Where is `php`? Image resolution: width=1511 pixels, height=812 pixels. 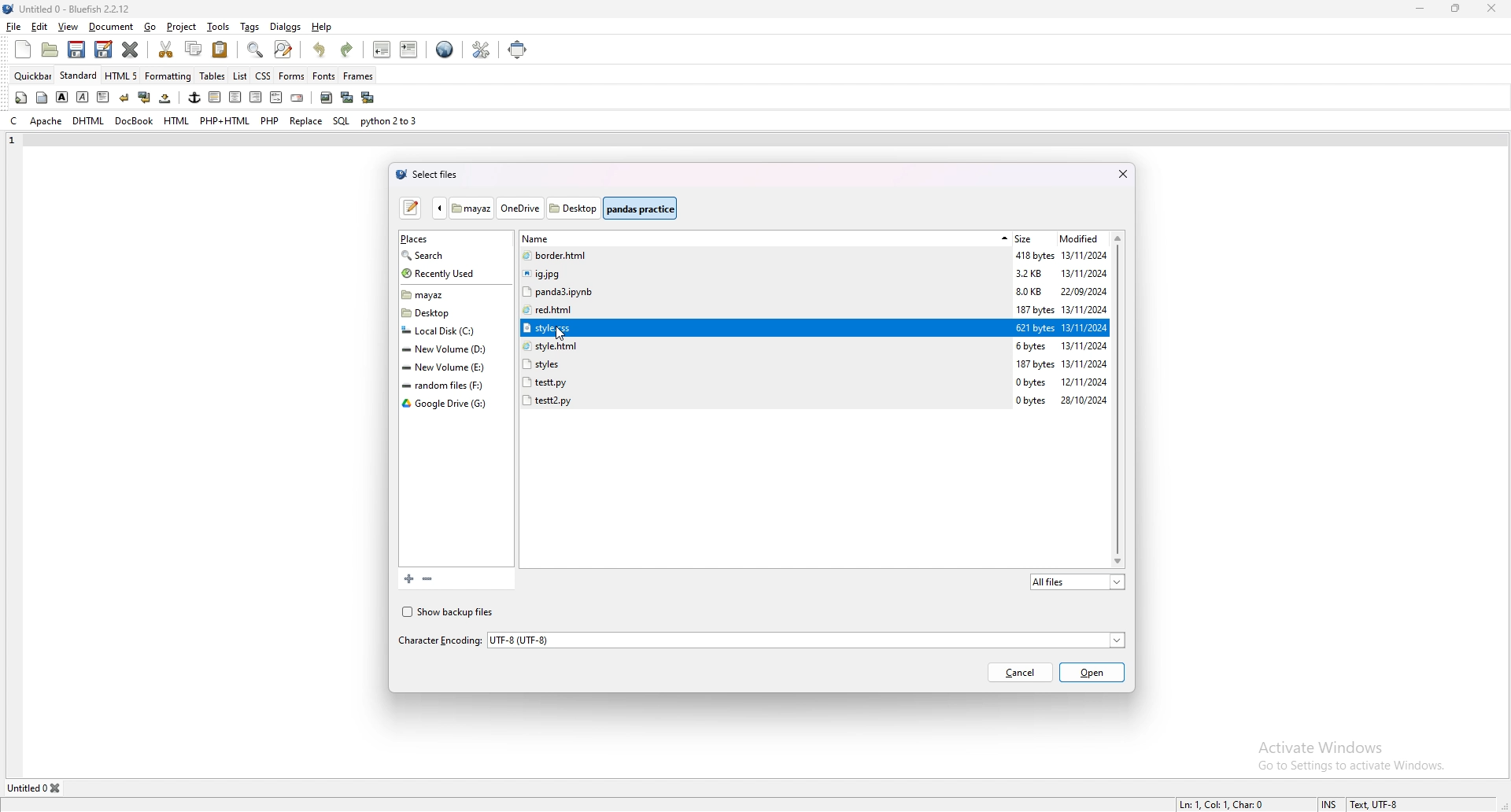 php is located at coordinates (271, 121).